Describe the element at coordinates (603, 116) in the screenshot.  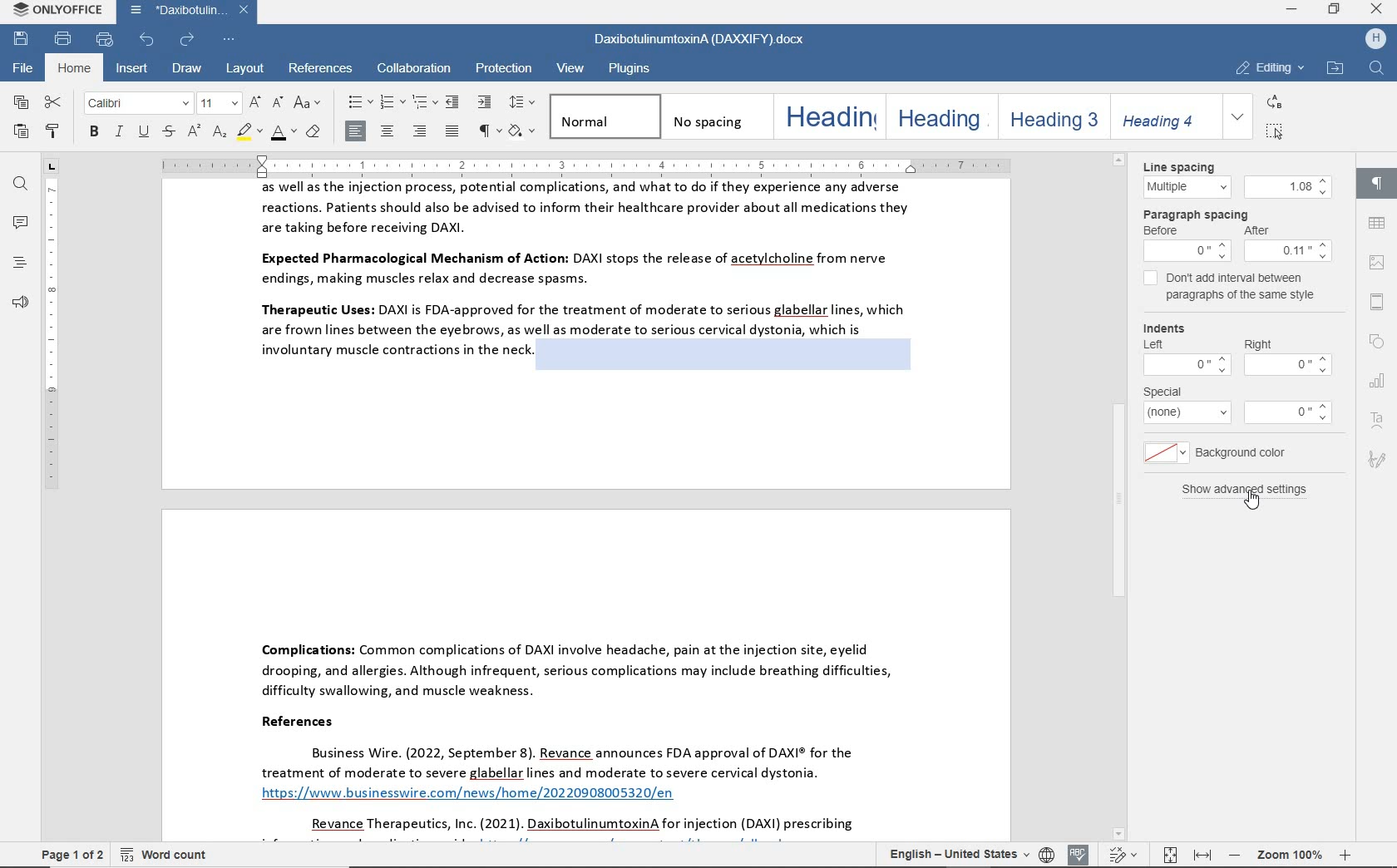
I see `normal` at that location.